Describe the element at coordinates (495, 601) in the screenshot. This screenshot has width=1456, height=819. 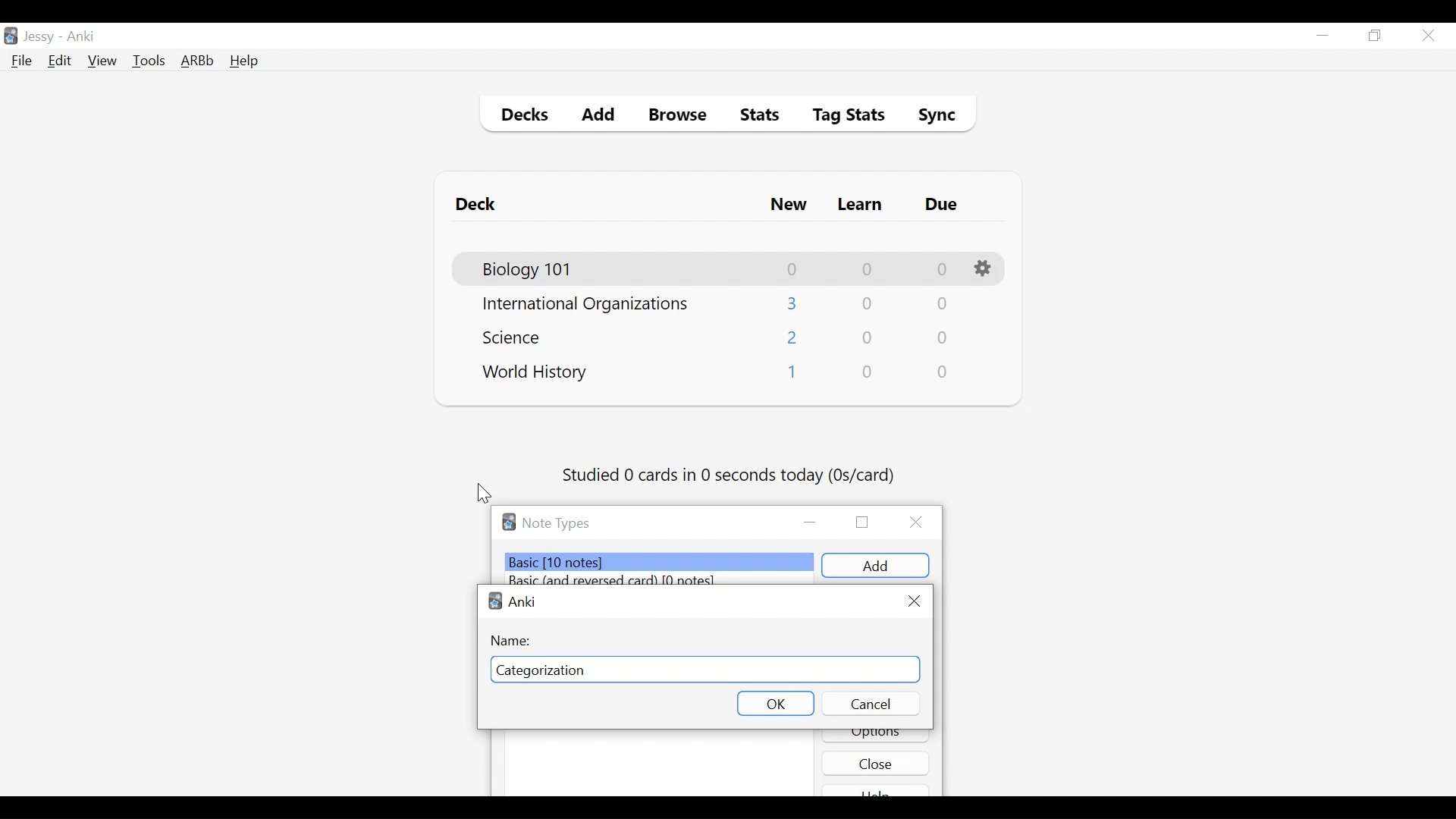
I see `Anki logo` at that location.